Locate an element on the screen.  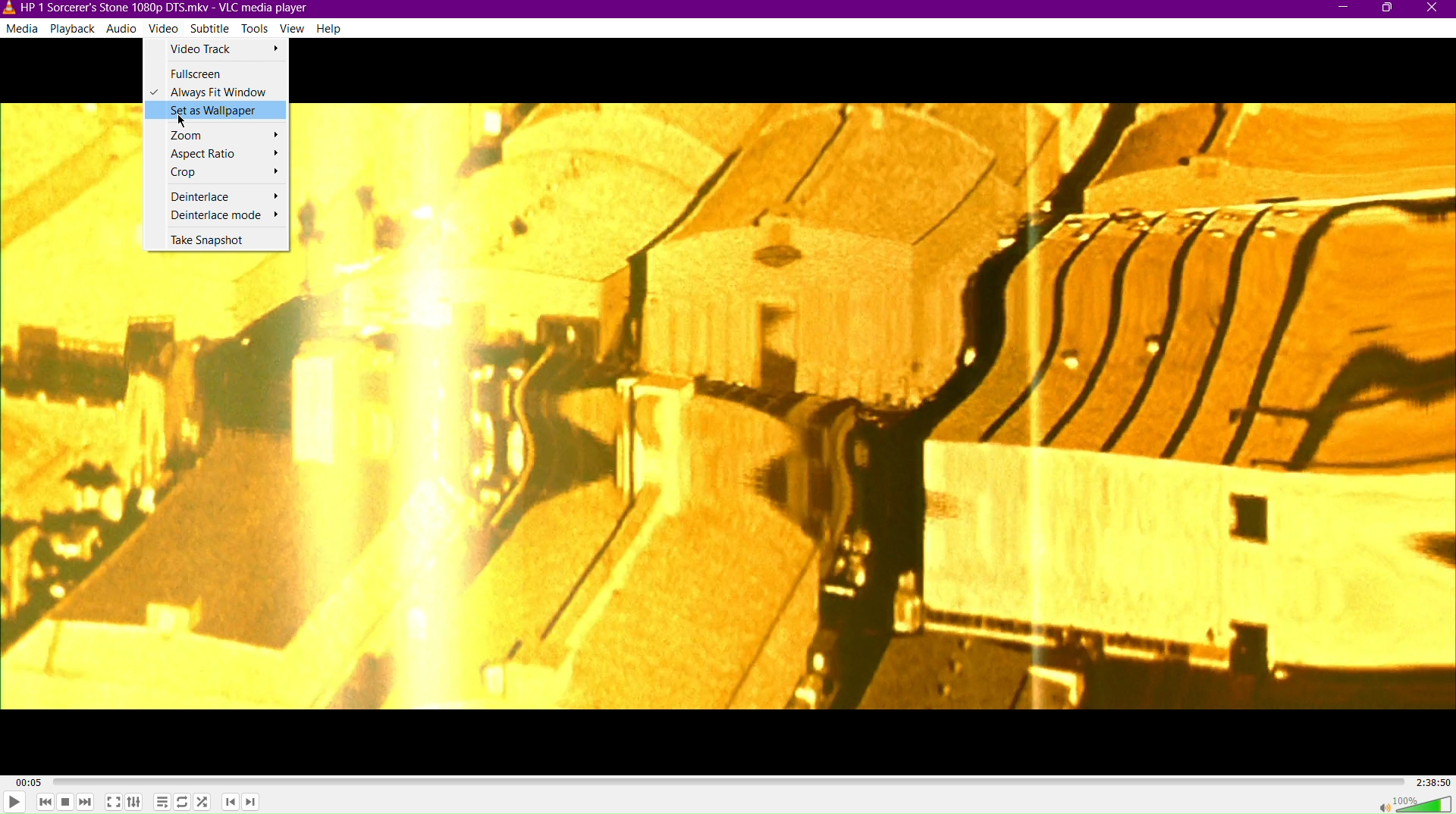
Crop is located at coordinates (220, 173).